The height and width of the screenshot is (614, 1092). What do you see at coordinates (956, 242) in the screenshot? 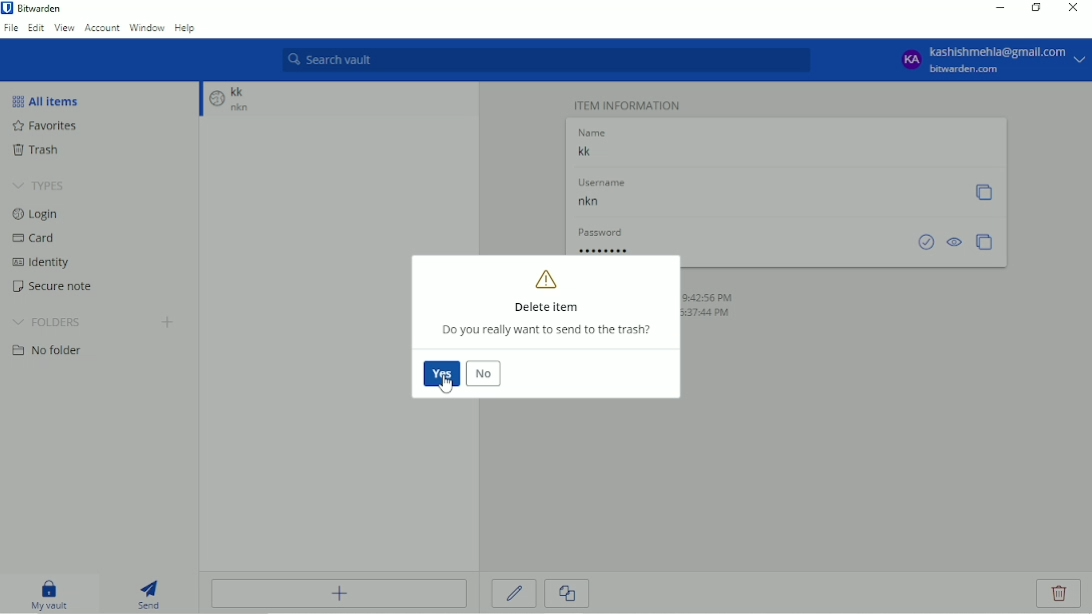
I see `Toggle visibility` at bounding box center [956, 242].